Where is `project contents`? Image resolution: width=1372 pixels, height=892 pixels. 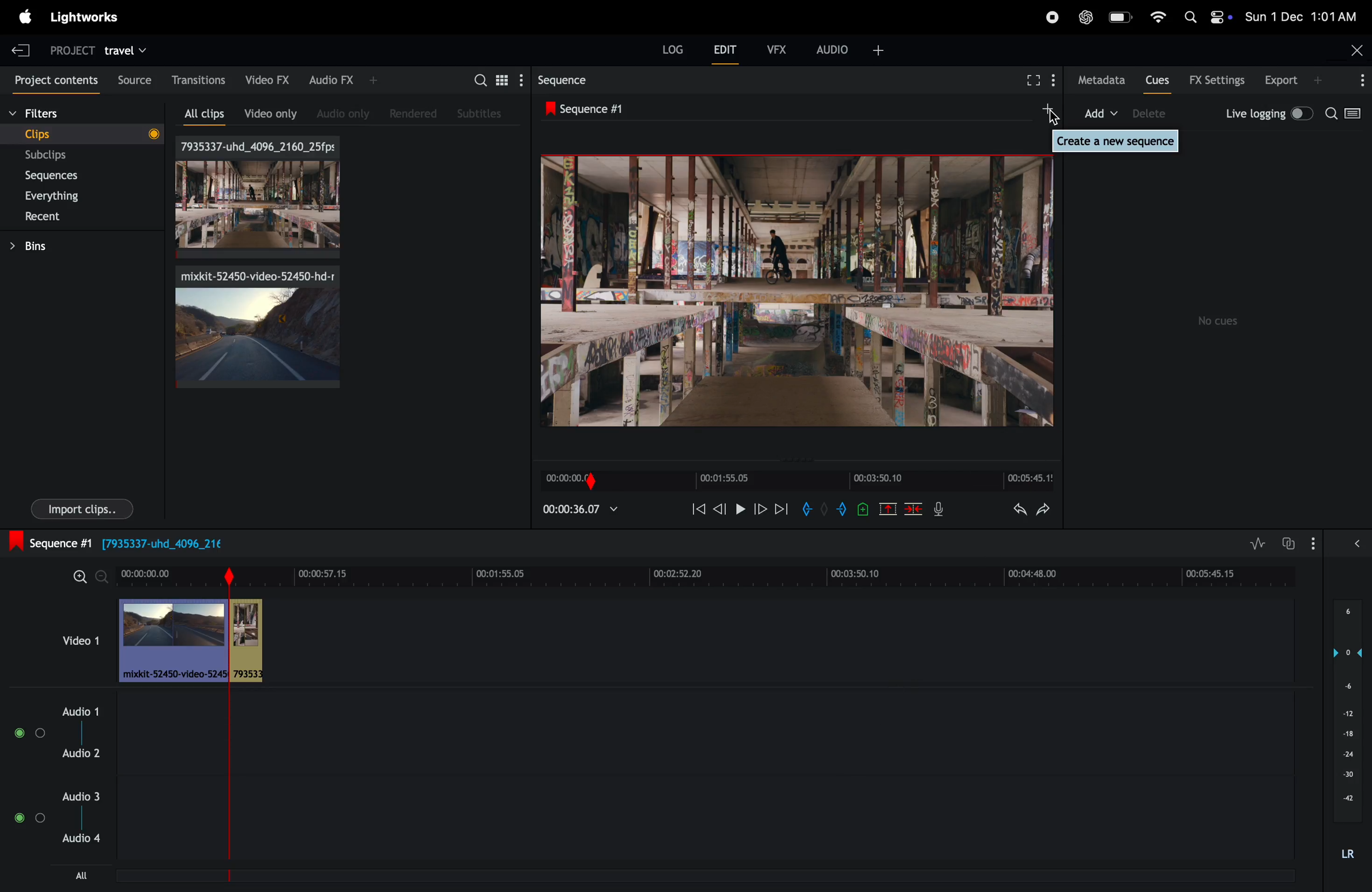 project contents is located at coordinates (54, 81).